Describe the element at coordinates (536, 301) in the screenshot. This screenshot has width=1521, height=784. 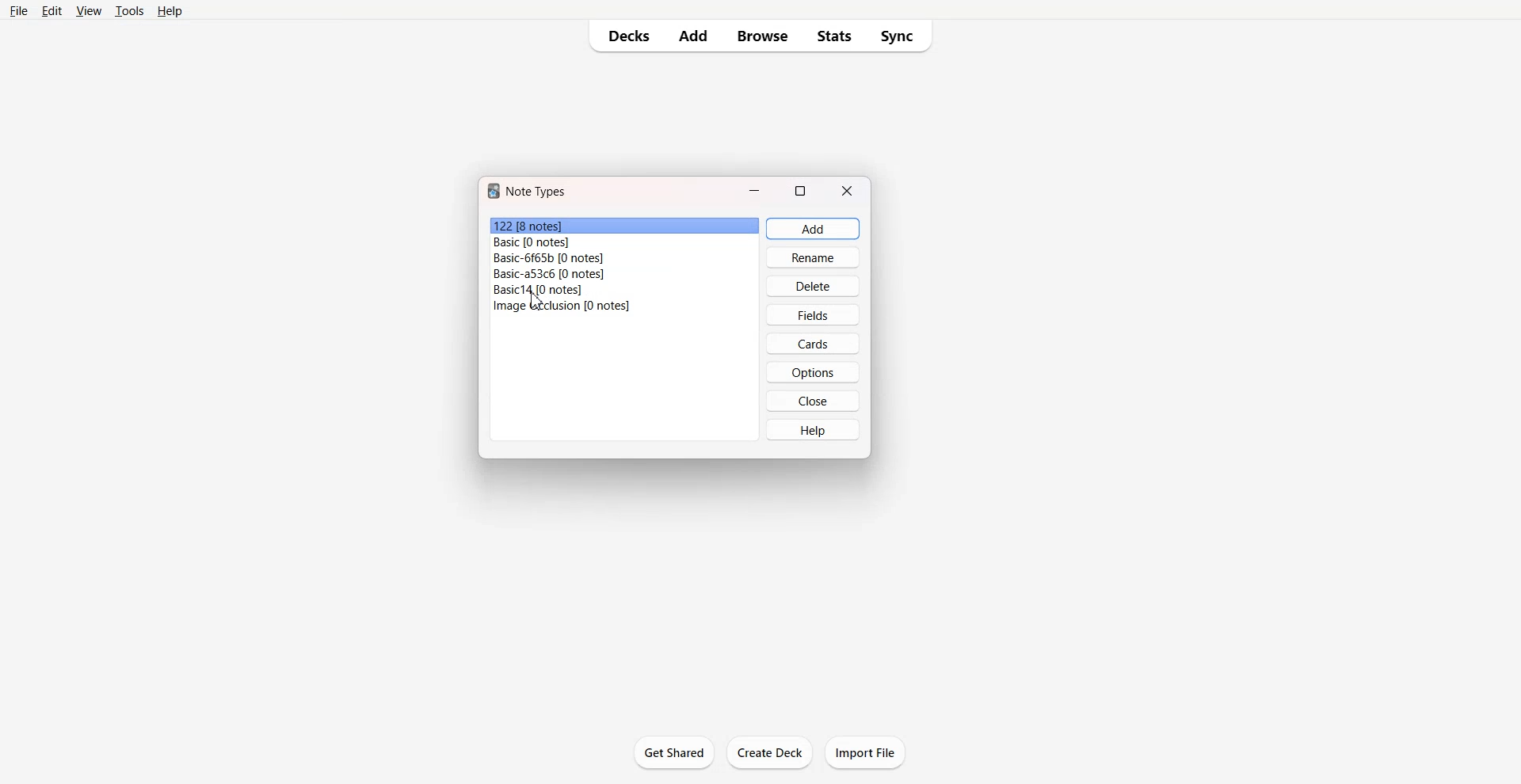
I see `Cursor` at that location.